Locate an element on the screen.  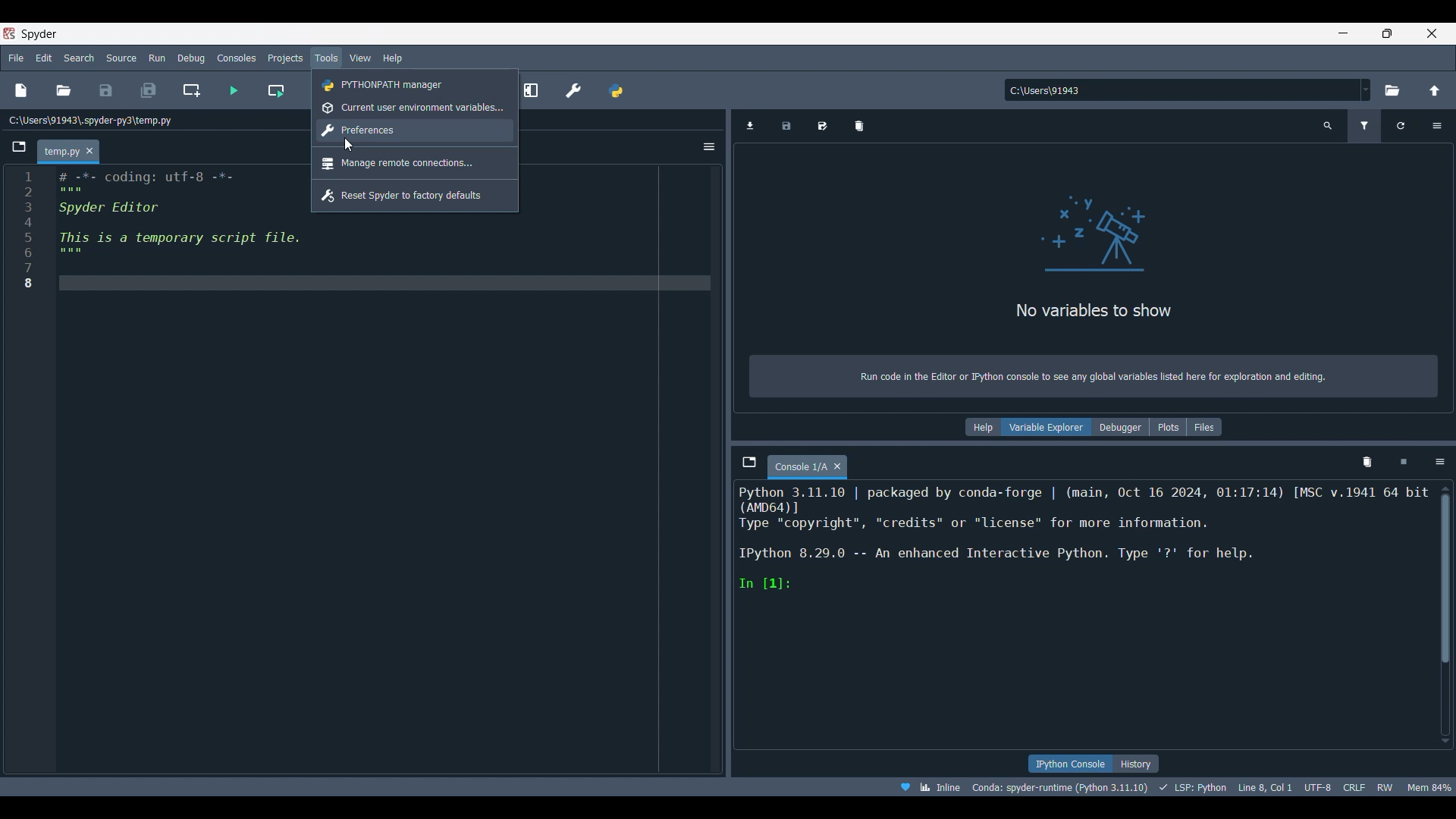
Software name is located at coordinates (39, 34).